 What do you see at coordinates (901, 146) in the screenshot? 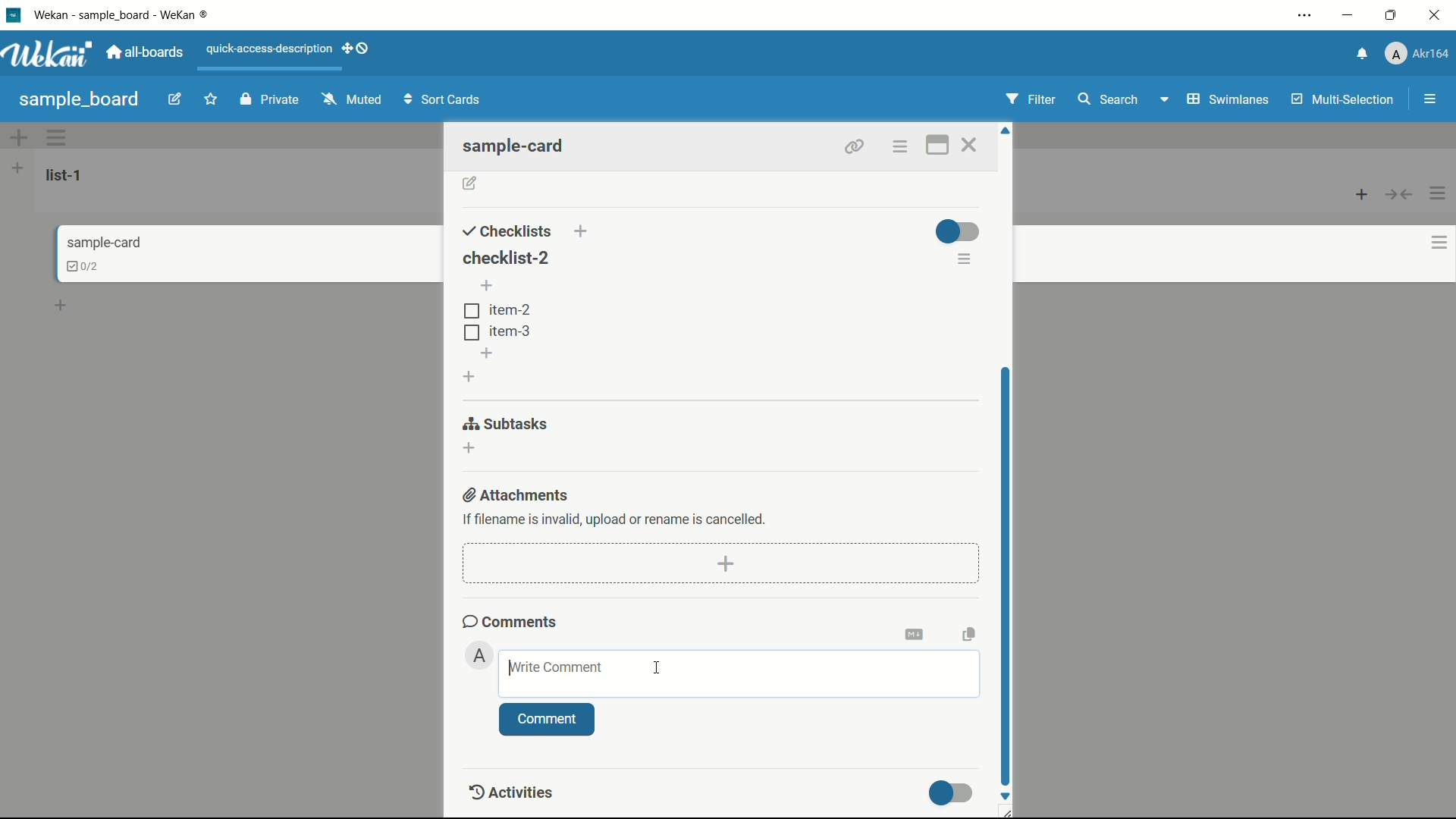
I see `options` at bounding box center [901, 146].